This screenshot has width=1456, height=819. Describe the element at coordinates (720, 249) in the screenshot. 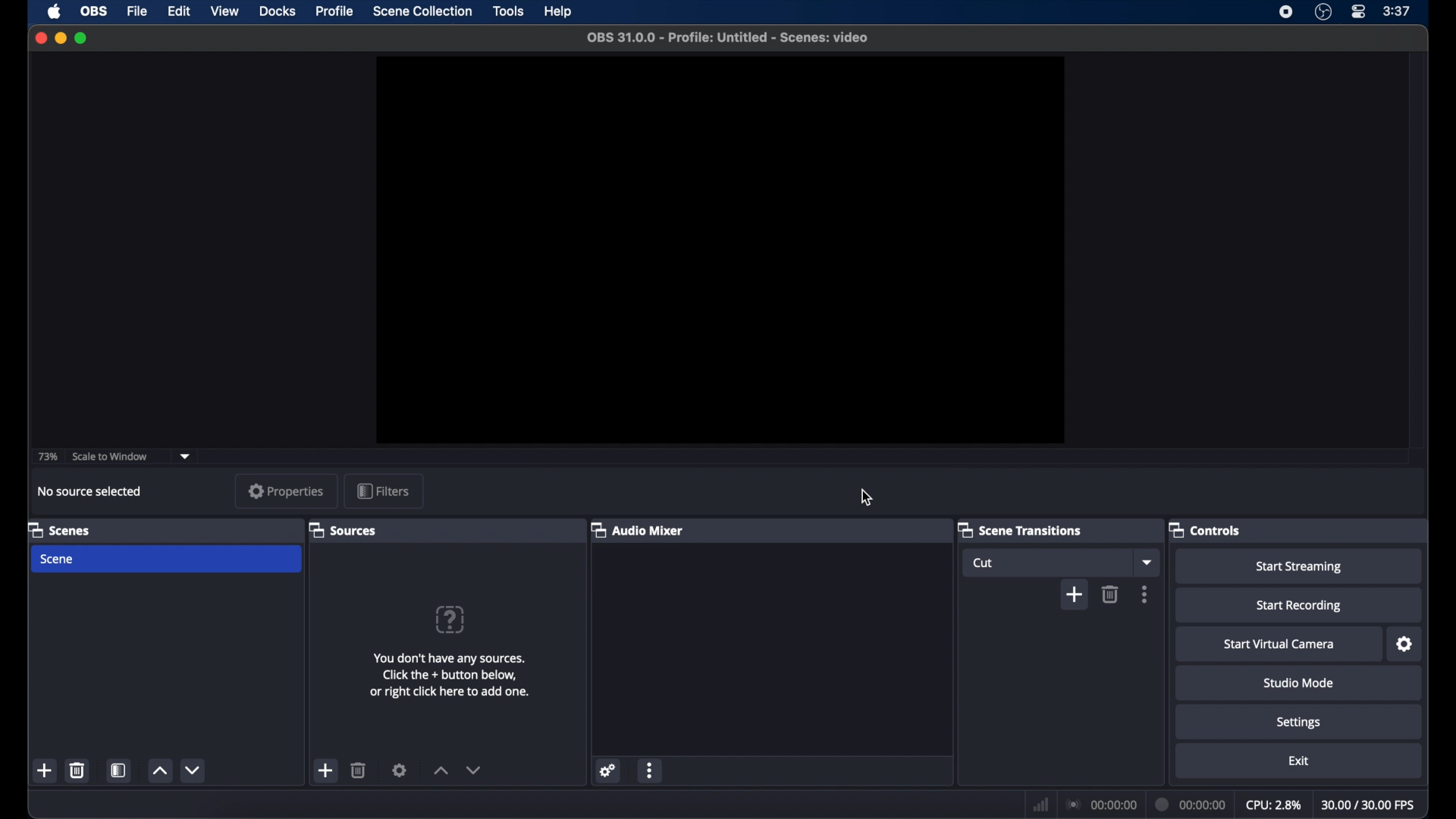

I see `preview` at that location.